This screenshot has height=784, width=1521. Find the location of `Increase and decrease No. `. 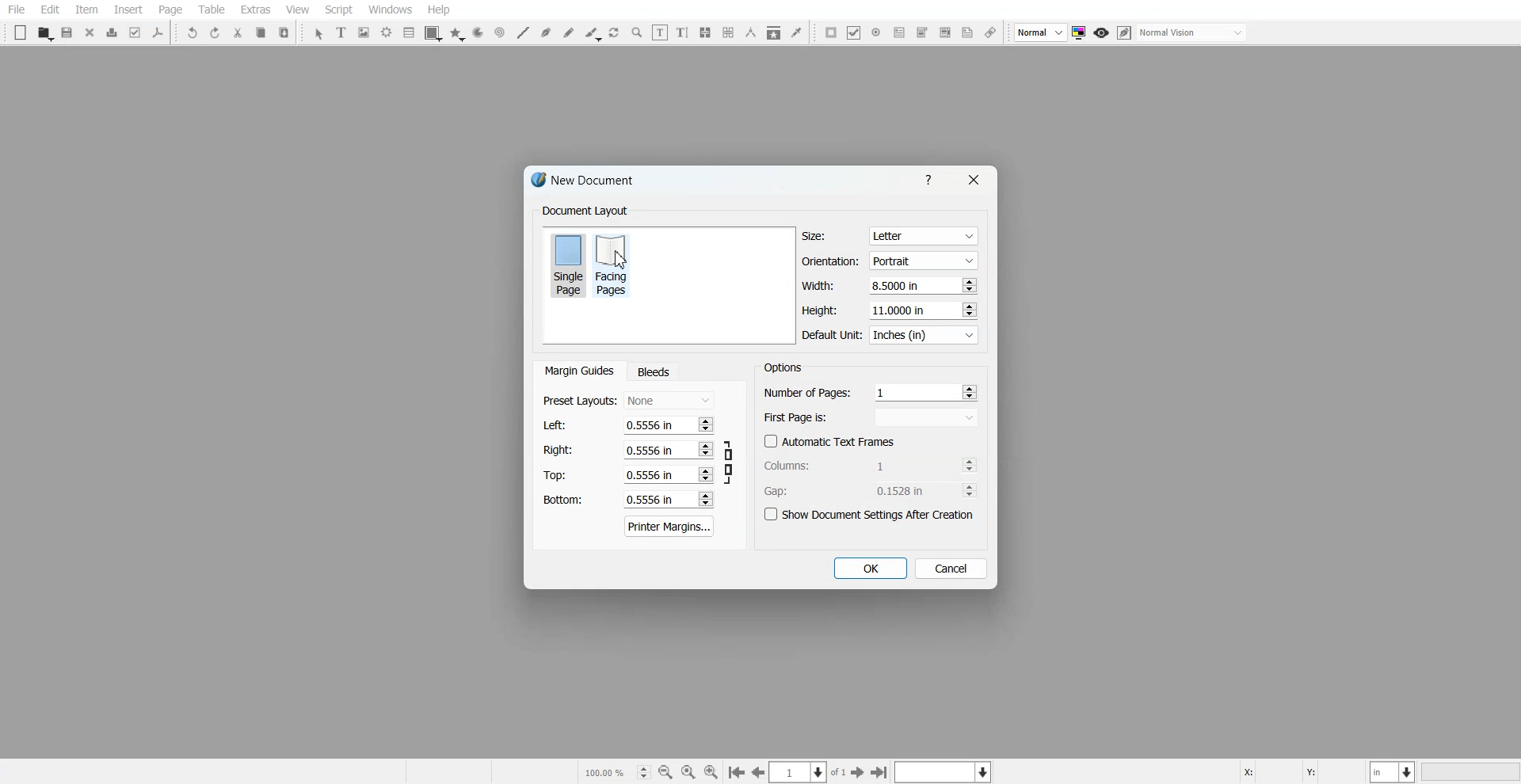

Increase and decrease No.  is located at coordinates (704, 499).